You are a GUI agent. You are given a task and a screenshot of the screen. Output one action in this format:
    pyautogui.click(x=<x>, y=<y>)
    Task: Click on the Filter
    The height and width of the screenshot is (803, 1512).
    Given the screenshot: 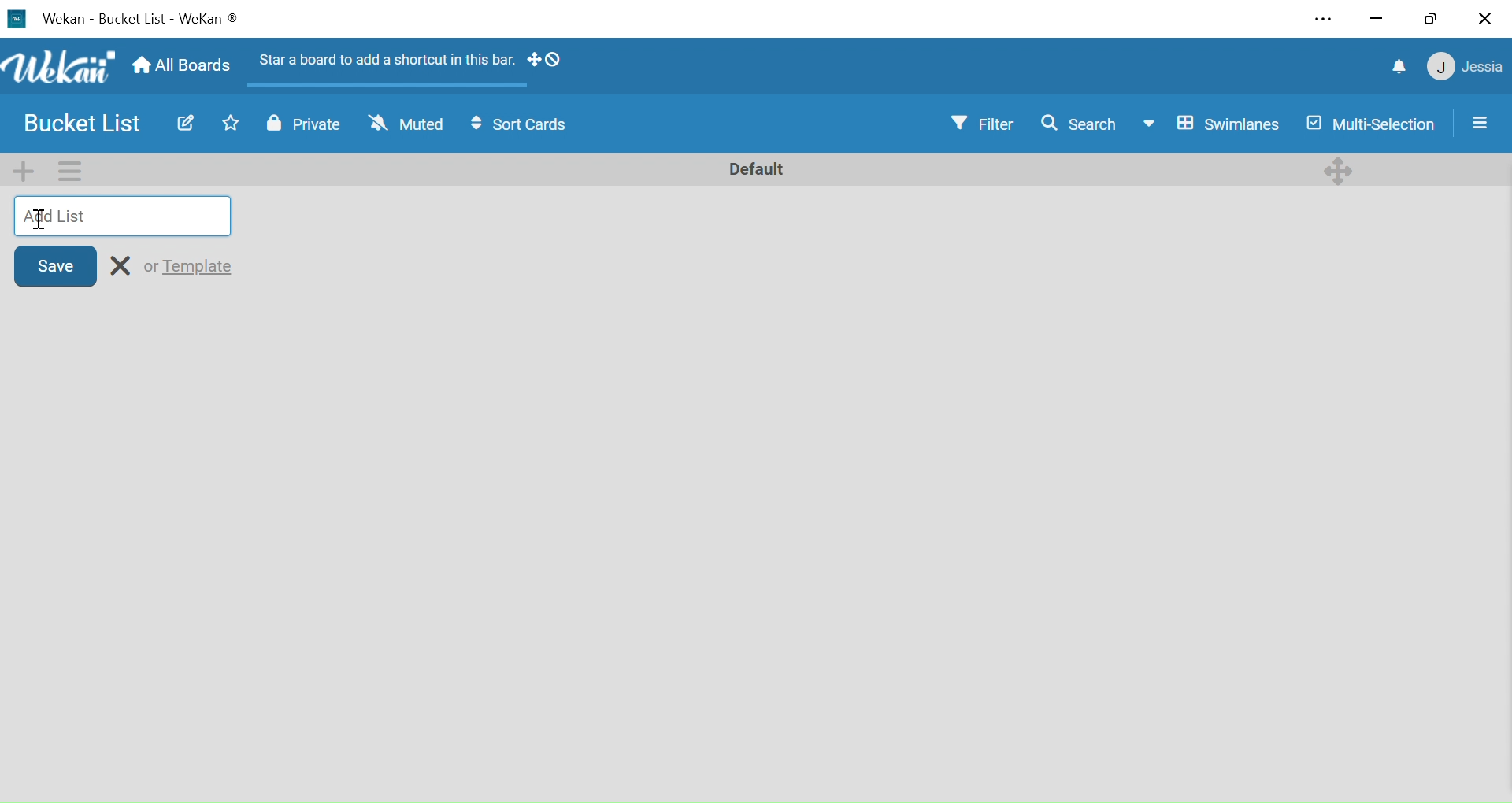 What is the action you would take?
    pyautogui.click(x=985, y=124)
    